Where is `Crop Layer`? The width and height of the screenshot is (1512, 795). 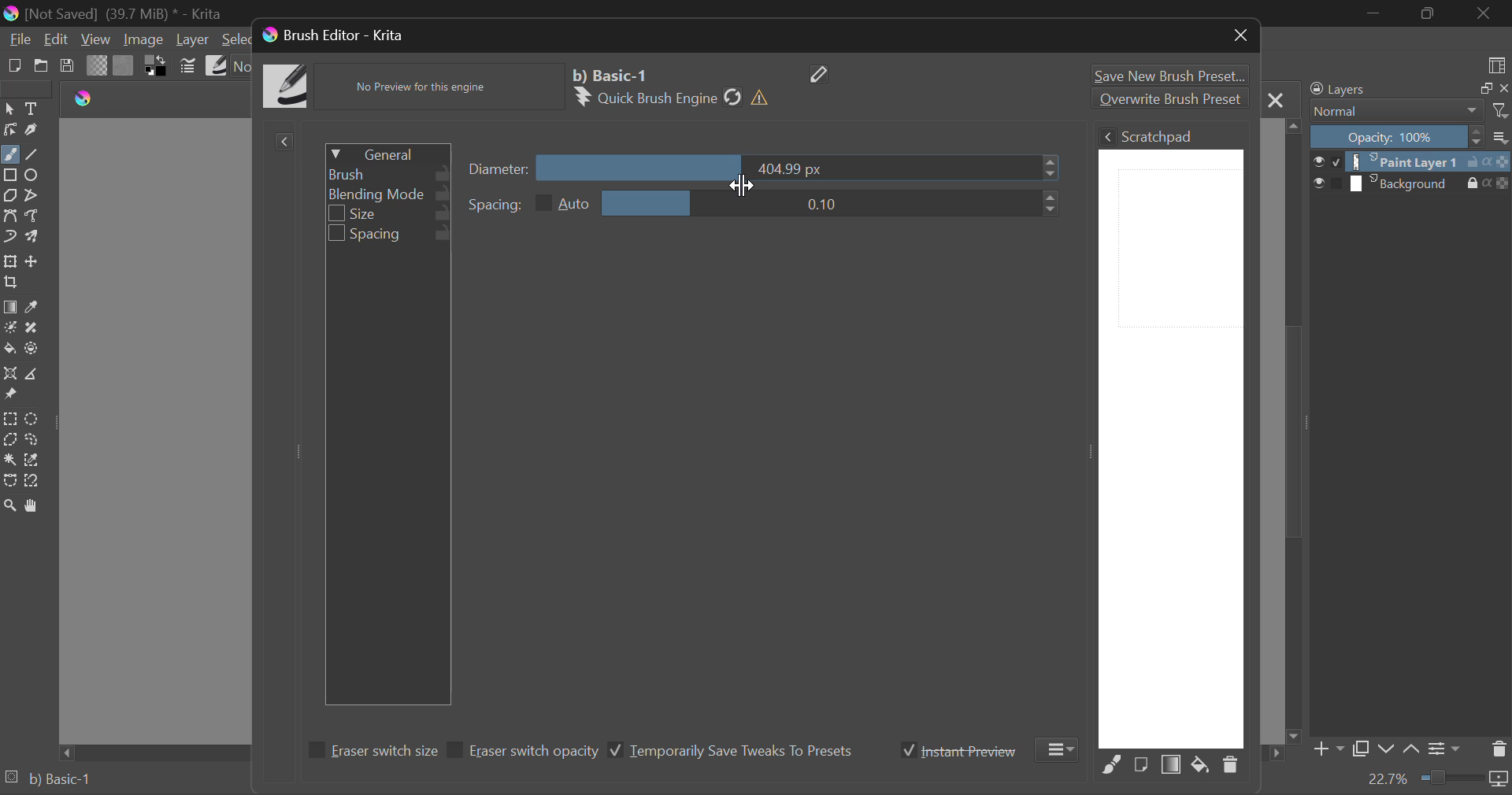 Crop Layer is located at coordinates (14, 283).